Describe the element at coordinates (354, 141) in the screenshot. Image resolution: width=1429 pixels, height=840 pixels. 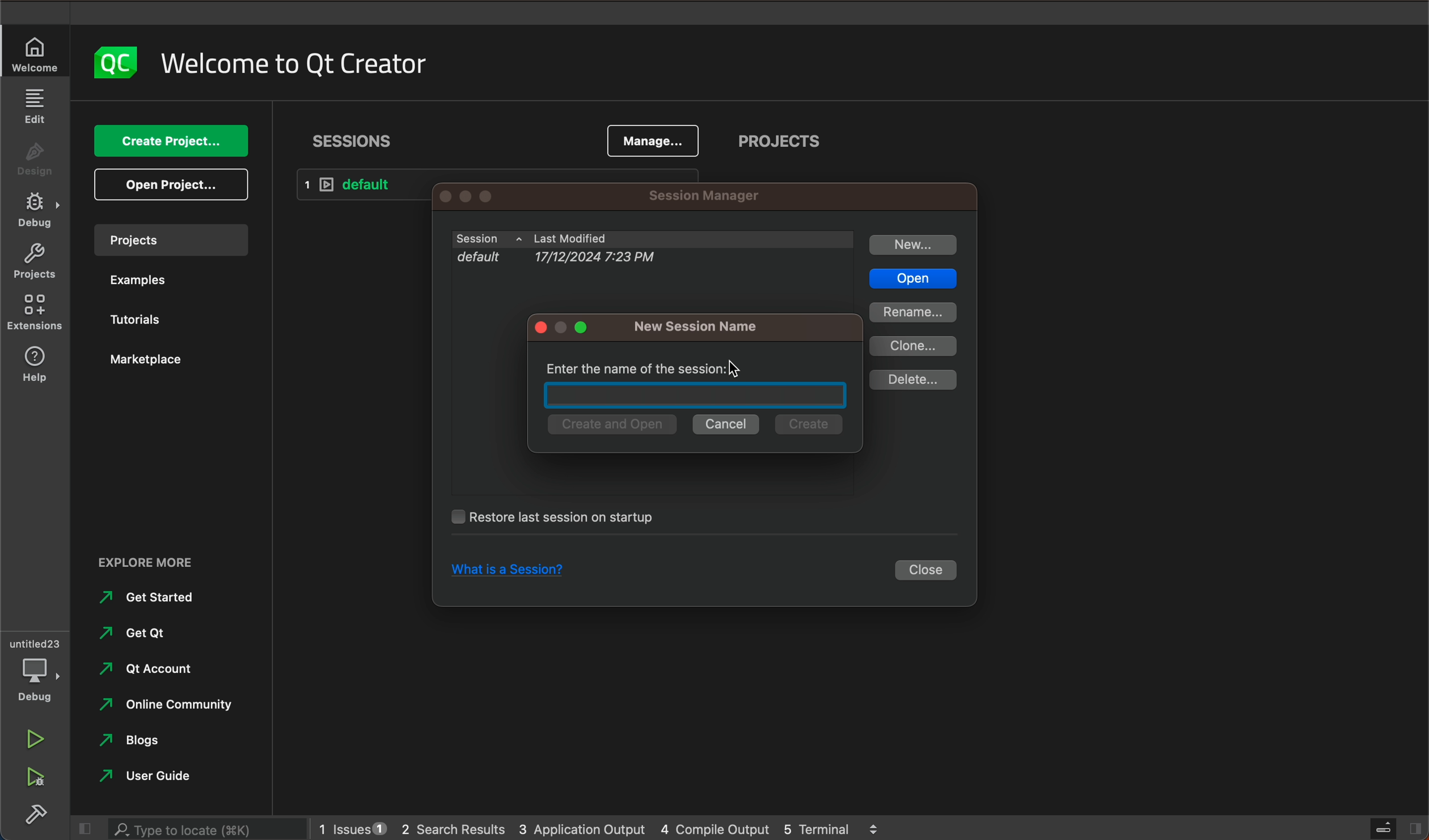
I see `sessions` at that location.